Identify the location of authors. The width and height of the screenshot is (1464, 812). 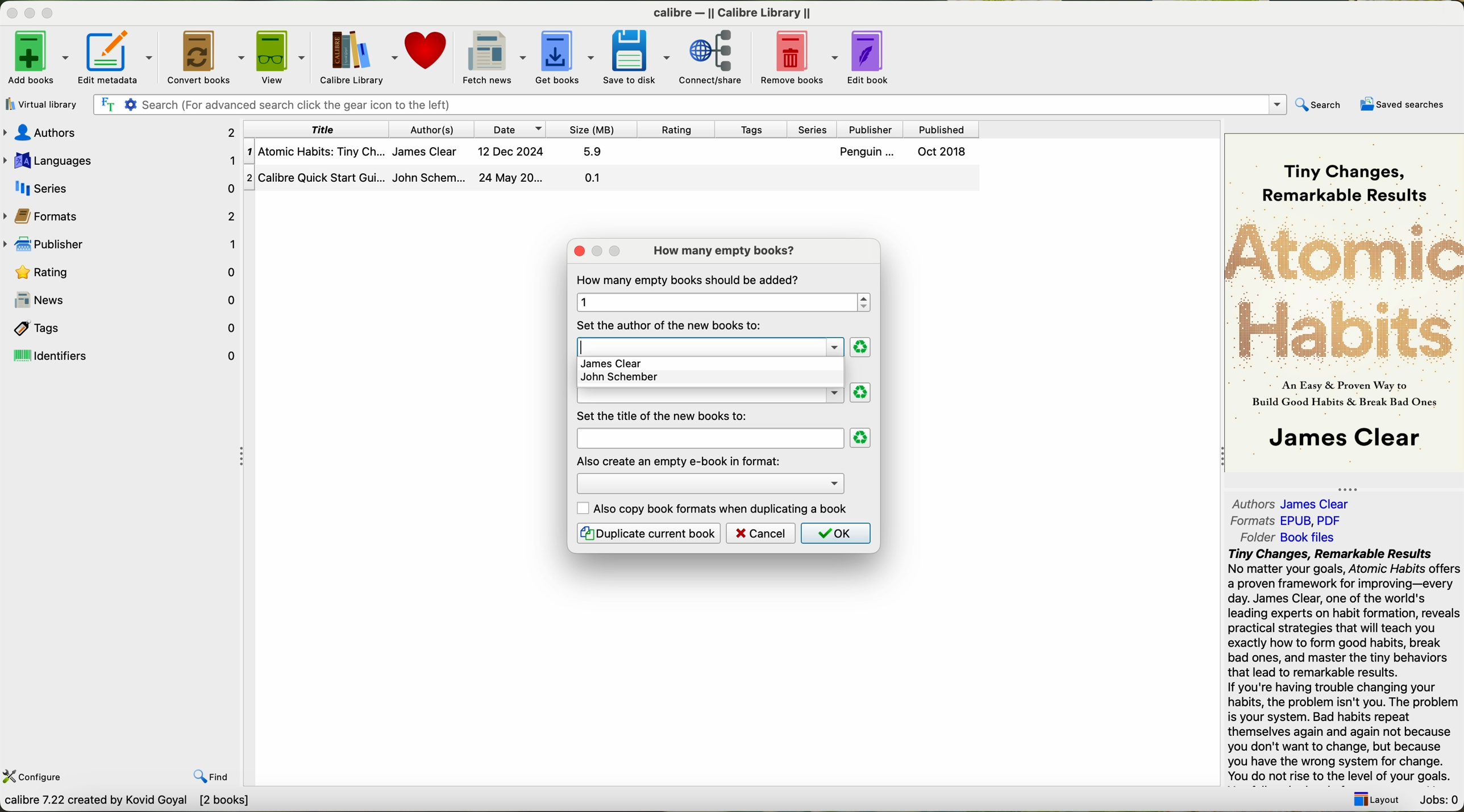
(1296, 503).